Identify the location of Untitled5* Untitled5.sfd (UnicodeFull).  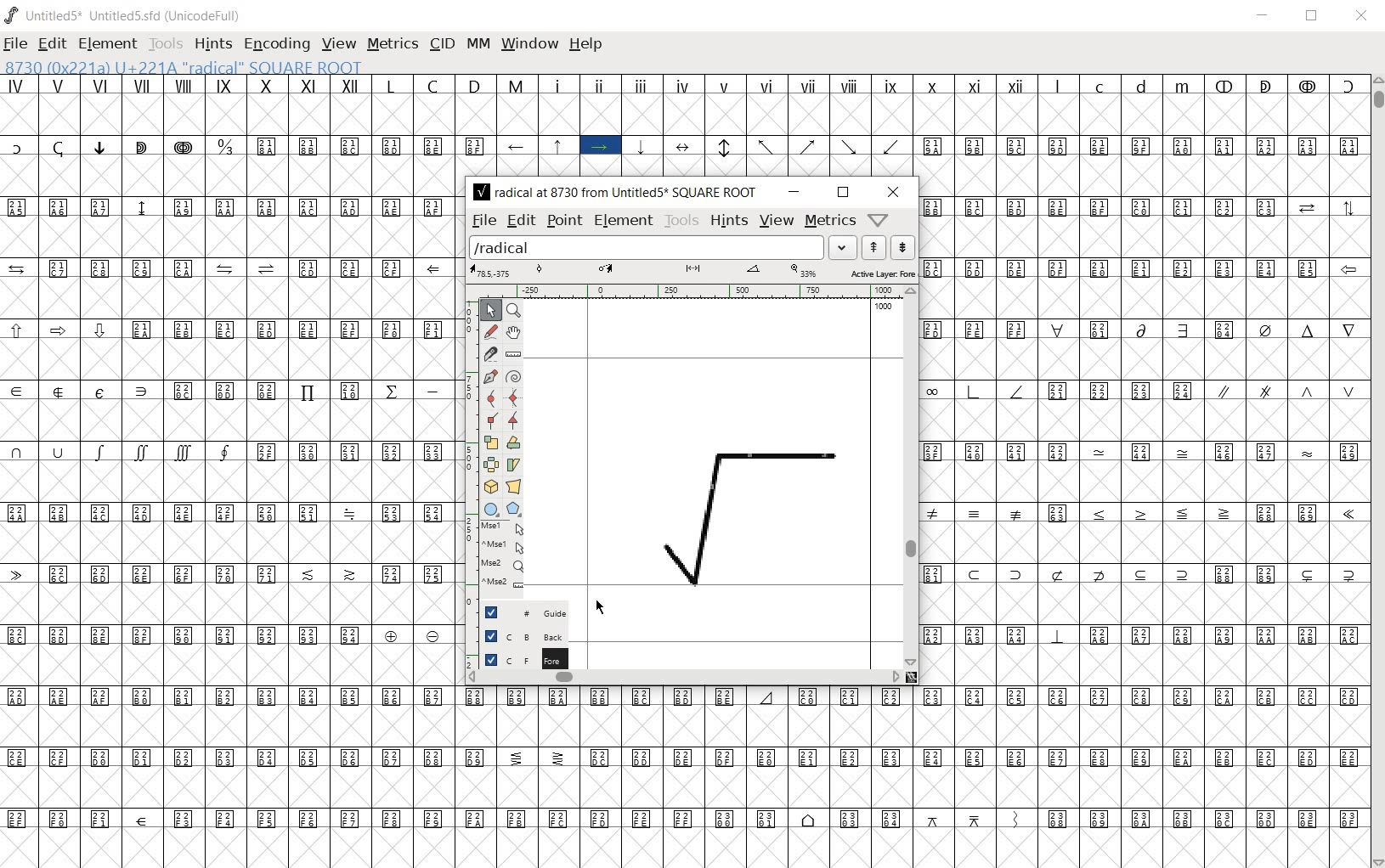
(124, 13).